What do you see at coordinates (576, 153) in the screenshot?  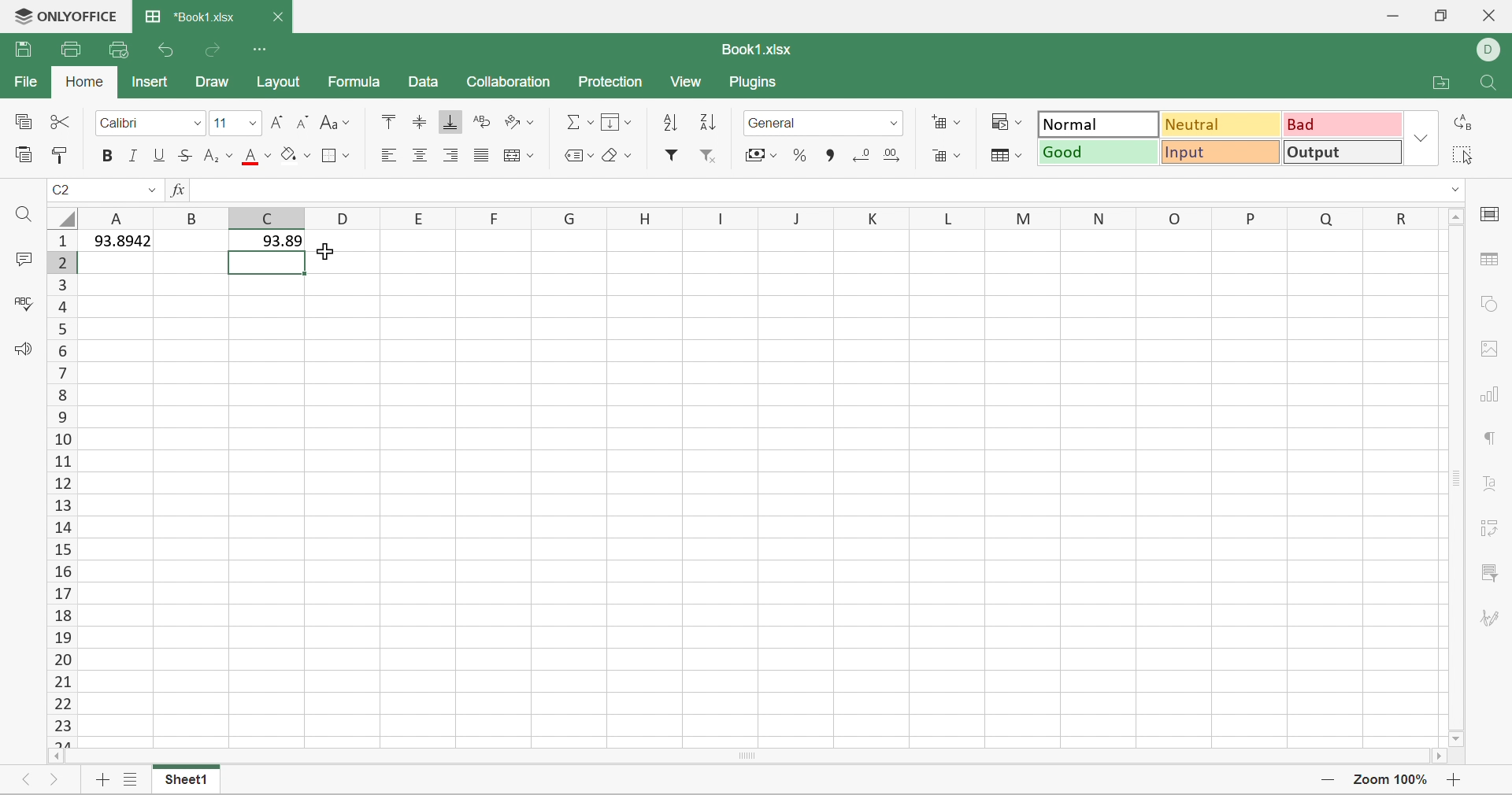 I see `Named ranges` at bounding box center [576, 153].